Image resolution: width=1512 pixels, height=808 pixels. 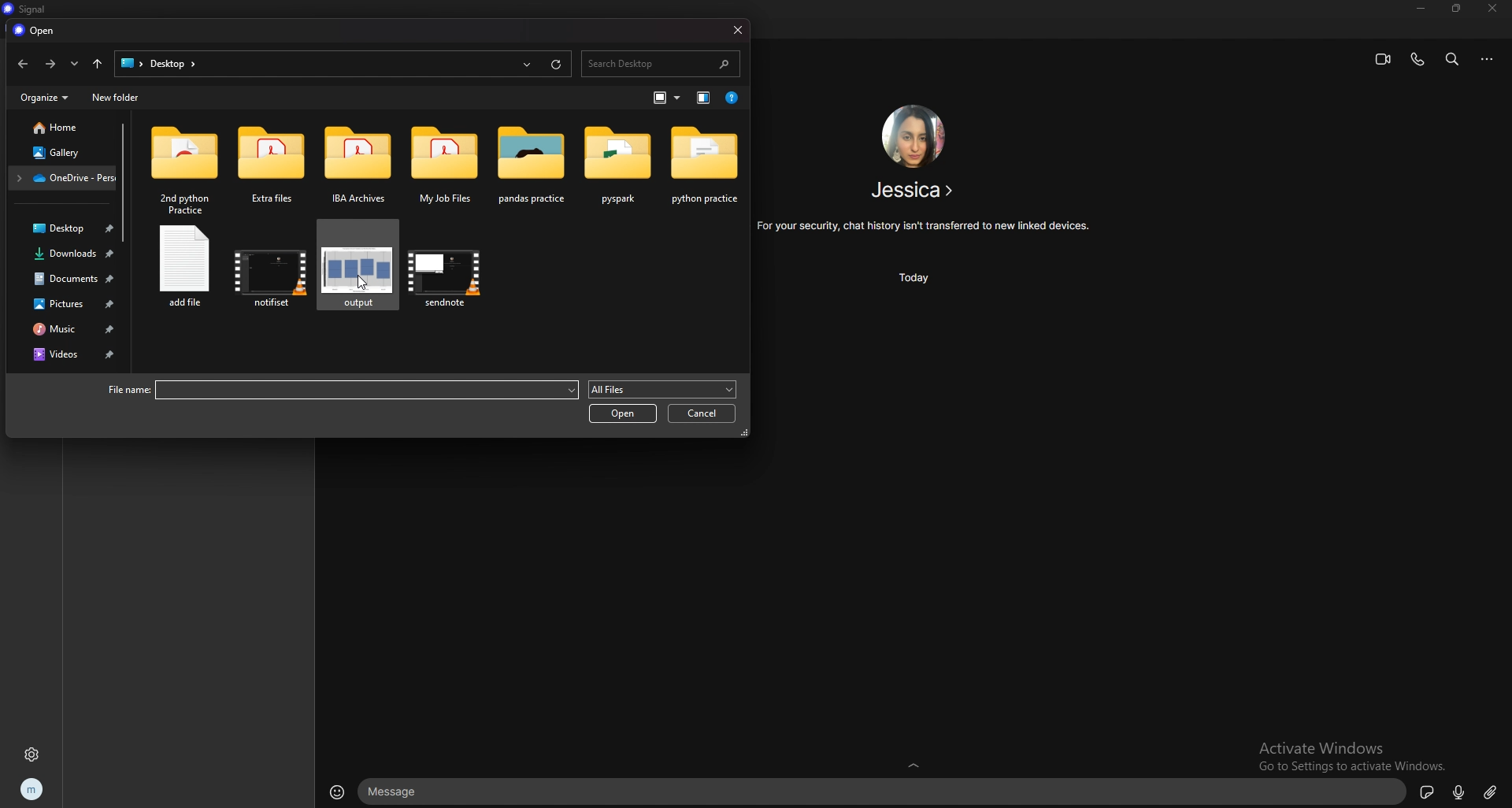 I want to click on sticker, so click(x=1426, y=792).